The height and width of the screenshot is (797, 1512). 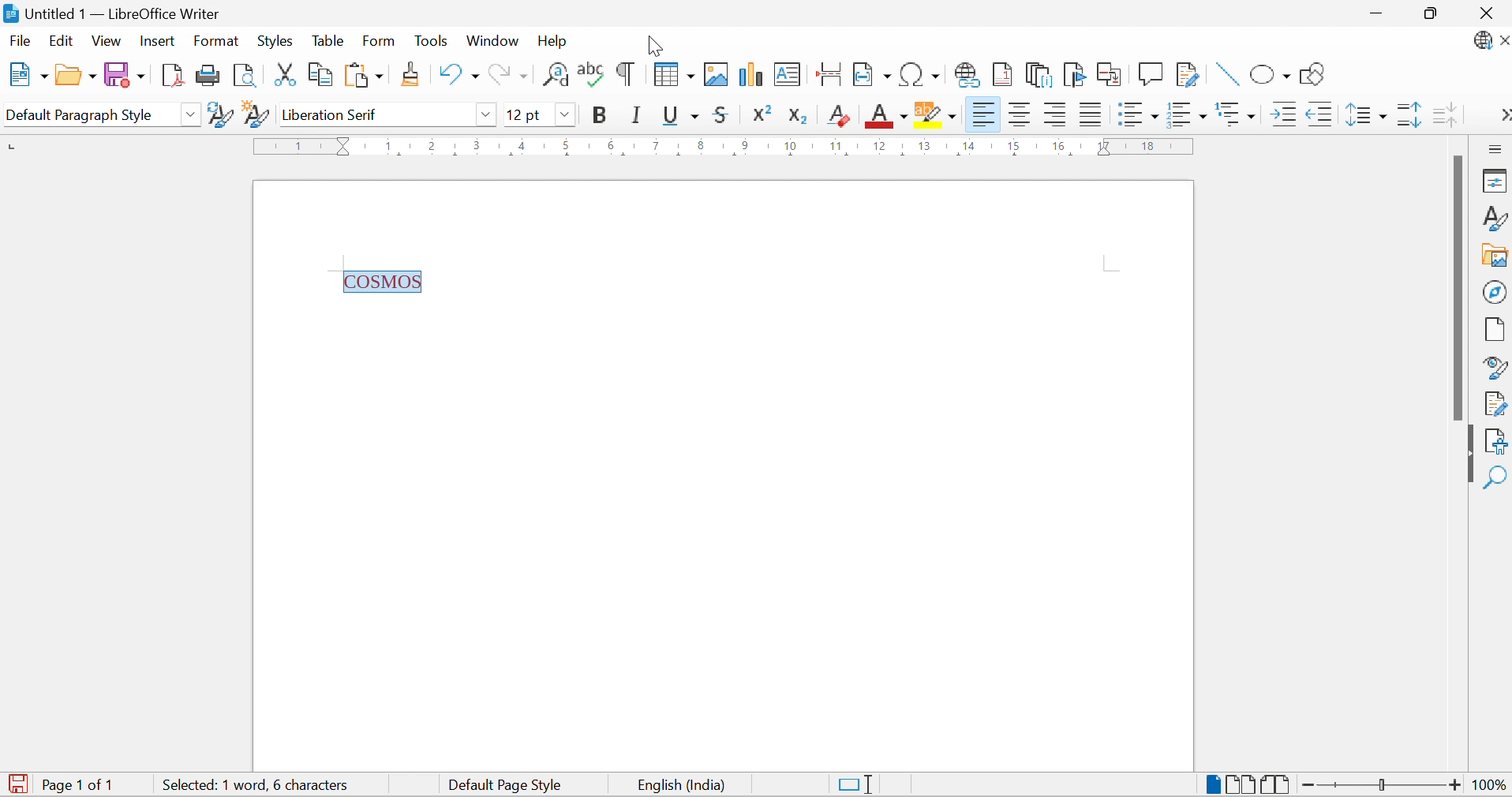 I want to click on Insert Image, so click(x=718, y=75).